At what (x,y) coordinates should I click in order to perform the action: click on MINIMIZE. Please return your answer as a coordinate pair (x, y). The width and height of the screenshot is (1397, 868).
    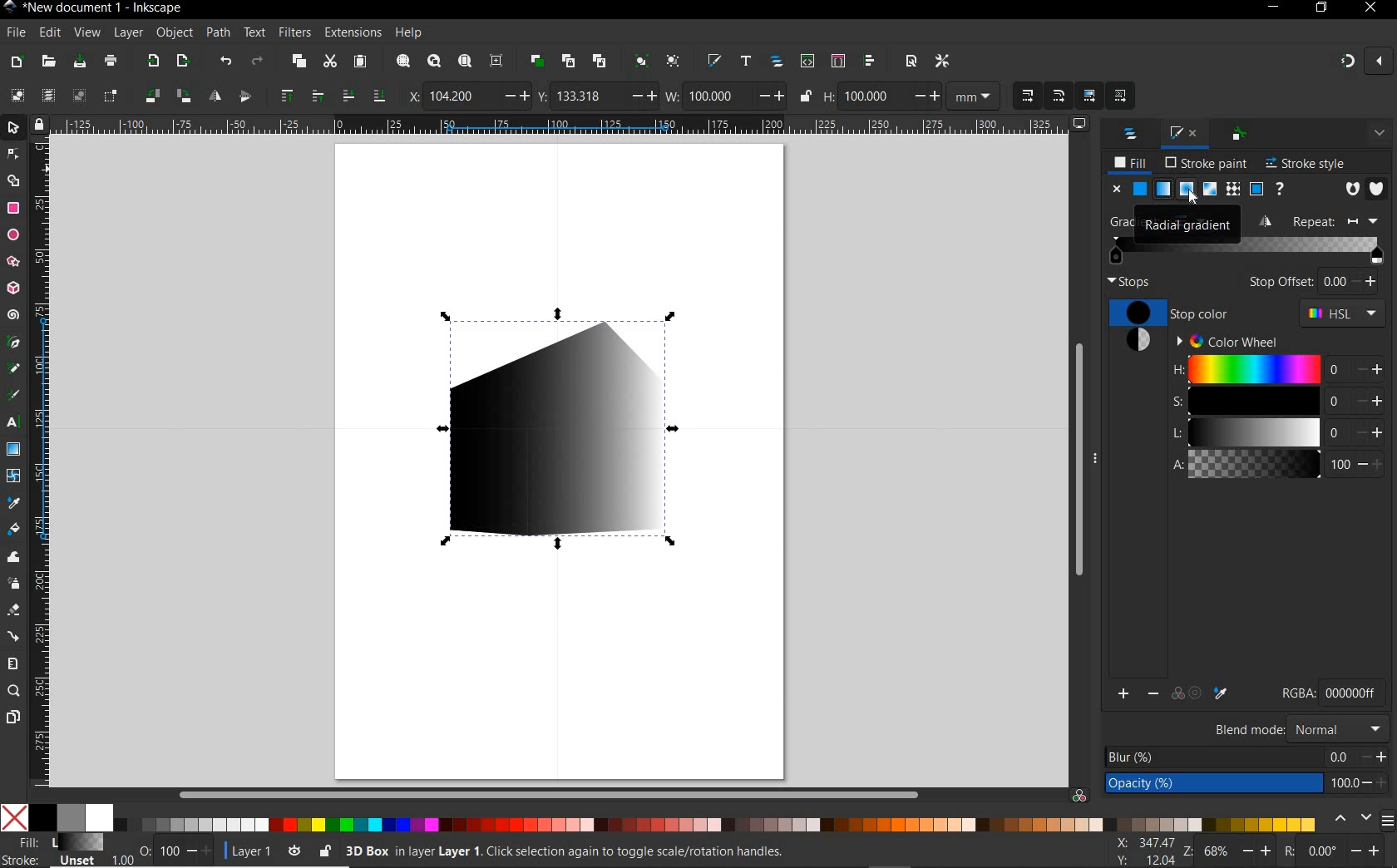
    Looking at the image, I should click on (1274, 7).